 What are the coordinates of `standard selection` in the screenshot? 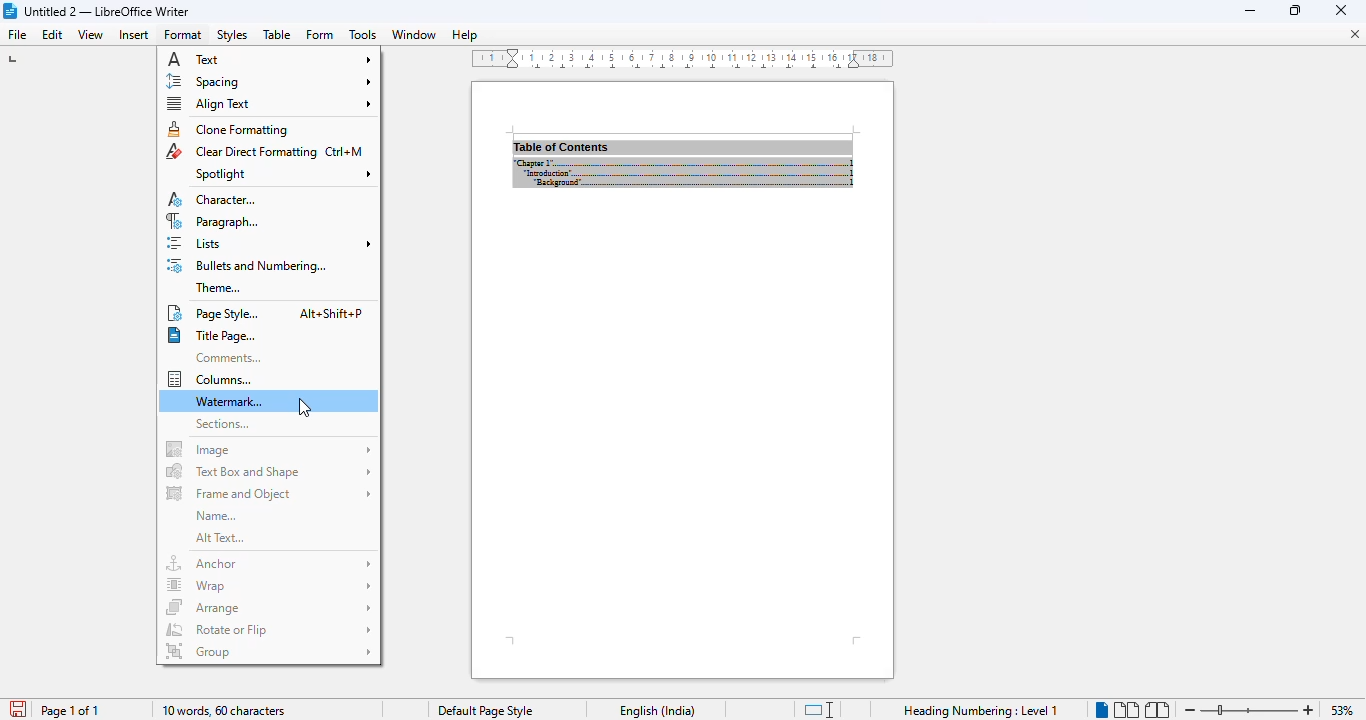 It's located at (816, 709).